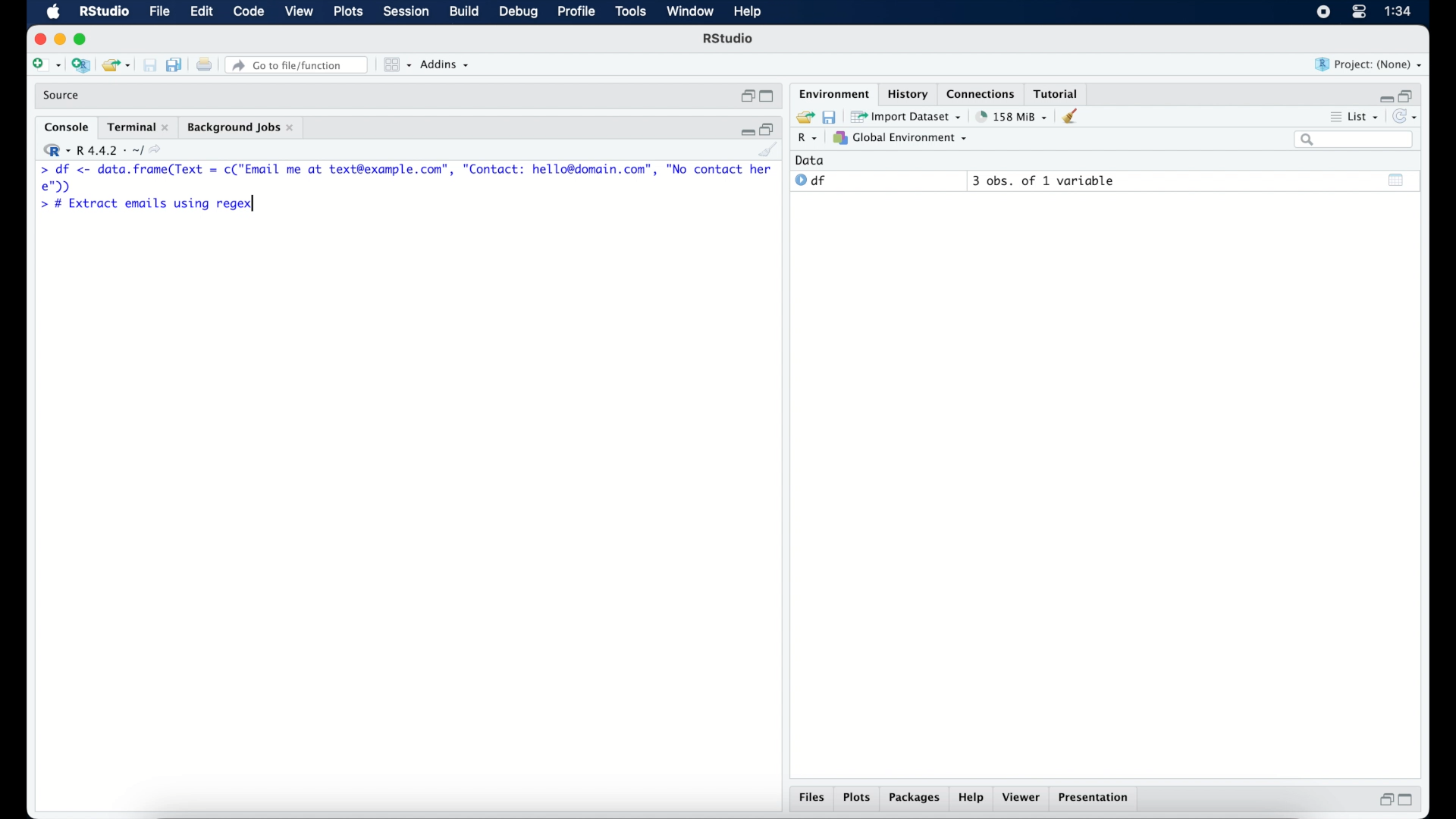  Describe the element at coordinates (770, 129) in the screenshot. I see `restore down` at that location.